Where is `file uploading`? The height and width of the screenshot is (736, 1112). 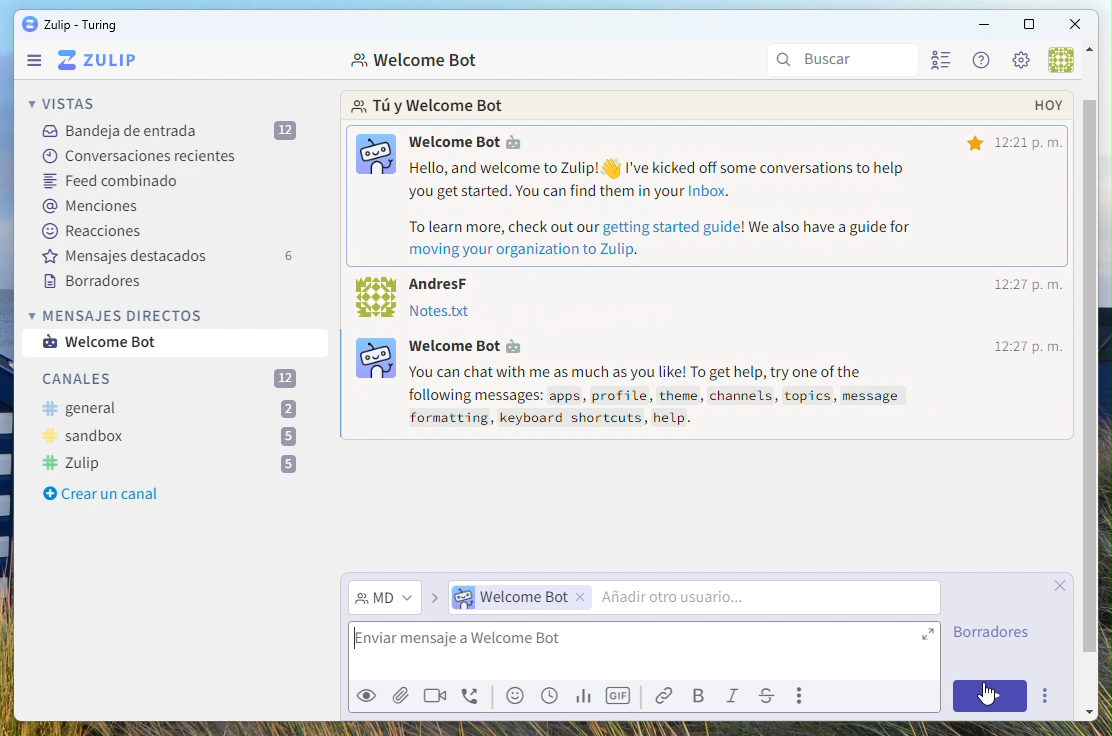
file uploading is located at coordinates (704, 643).